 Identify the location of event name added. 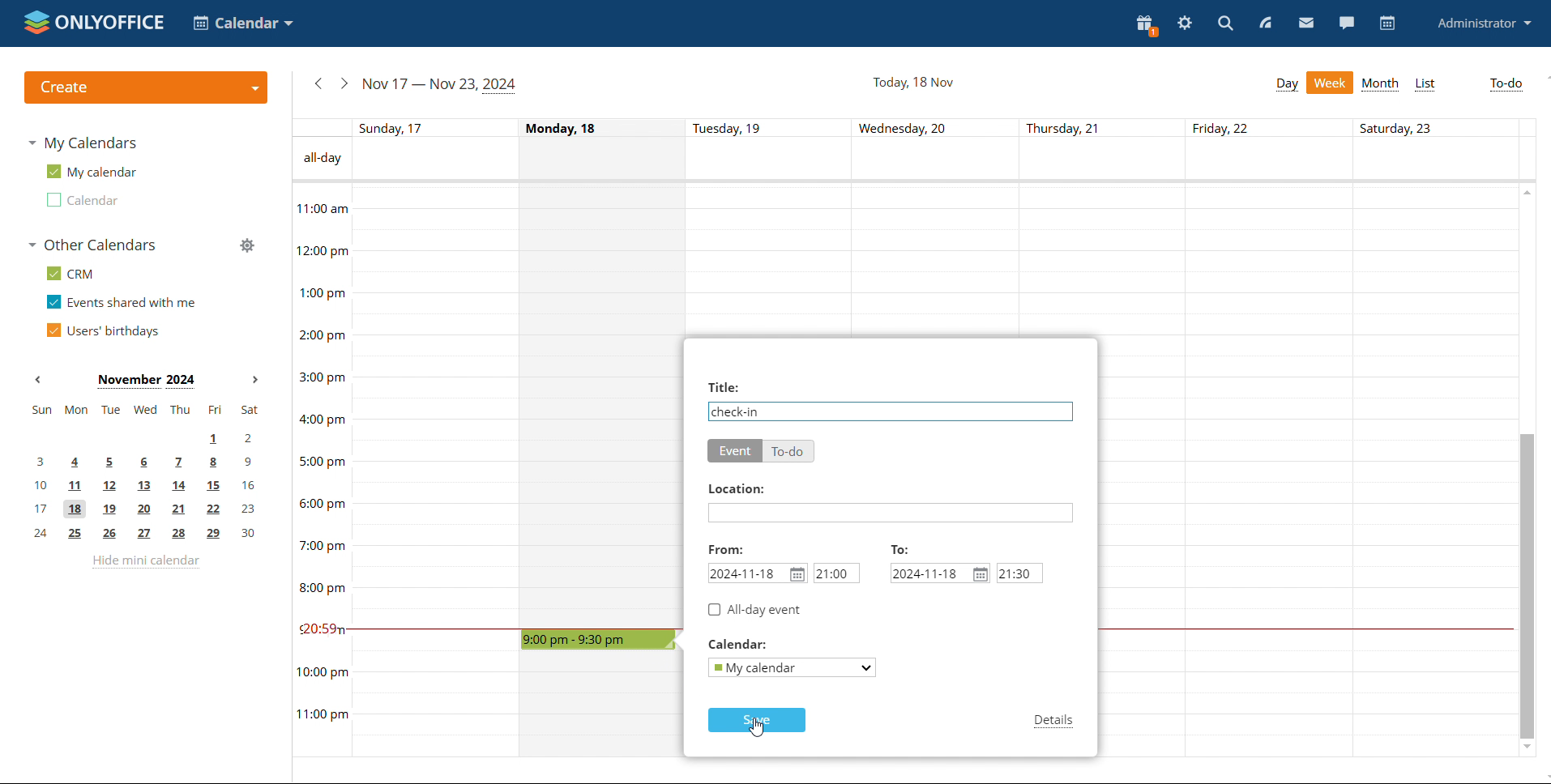
(738, 411).